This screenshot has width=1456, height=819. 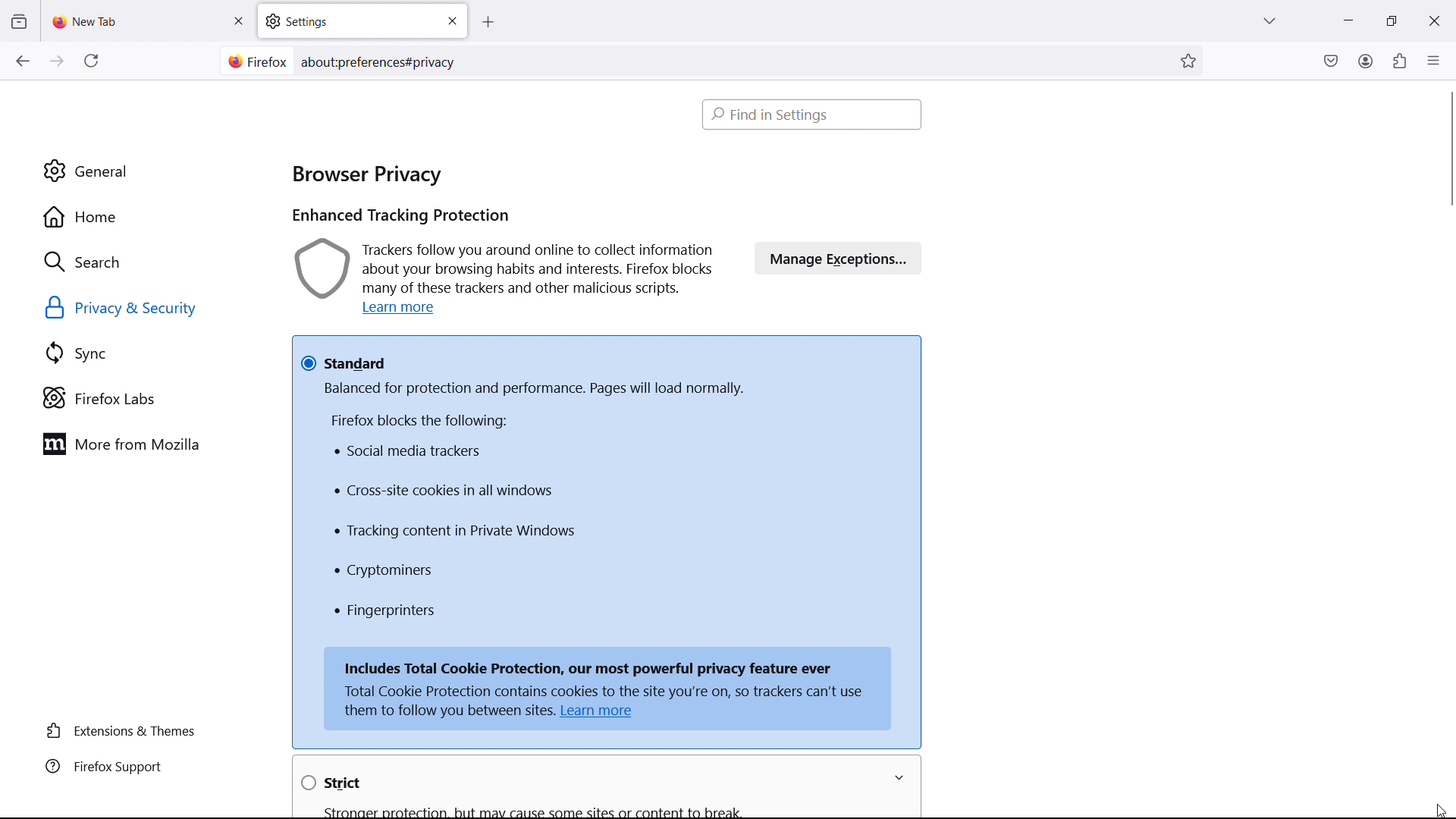 What do you see at coordinates (839, 257) in the screenshot?
I see `manage exceptions` at bounding box center [839, 257].